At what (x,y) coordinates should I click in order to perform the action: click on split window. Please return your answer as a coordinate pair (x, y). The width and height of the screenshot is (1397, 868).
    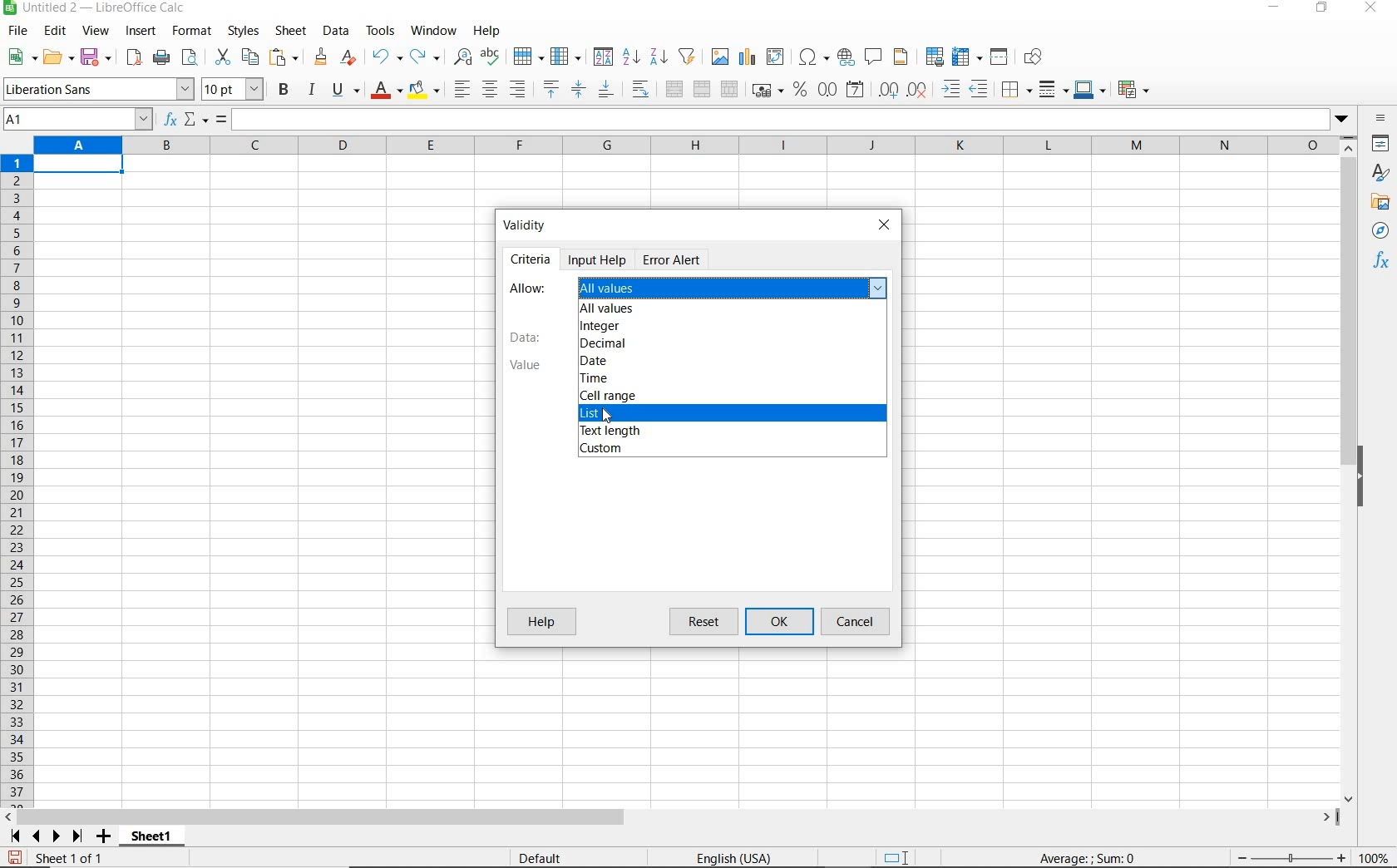
    Looking at the image, I should click on (1000, 57).